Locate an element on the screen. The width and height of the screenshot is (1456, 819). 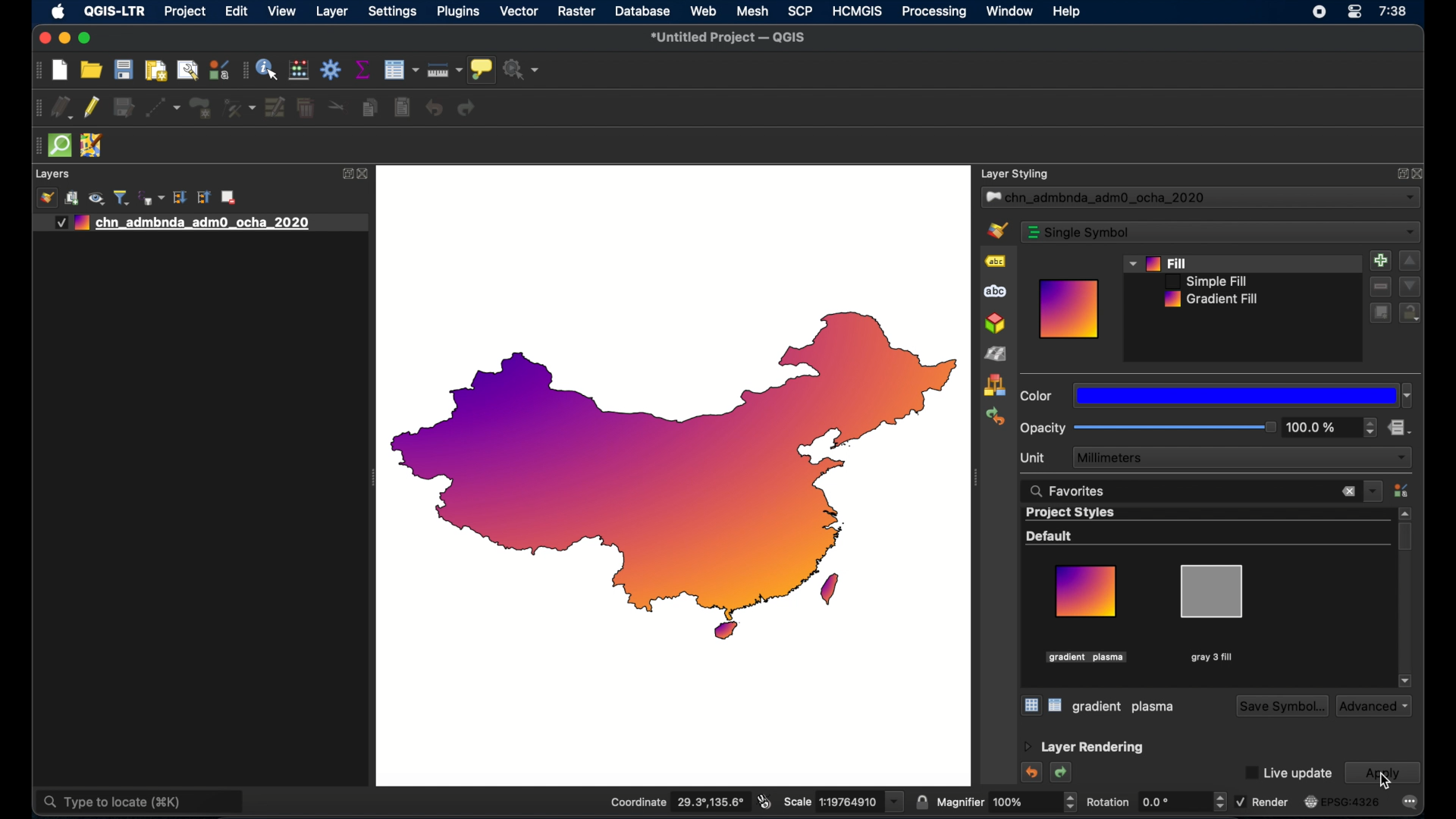
style manager is located at coordinates (995, 386).